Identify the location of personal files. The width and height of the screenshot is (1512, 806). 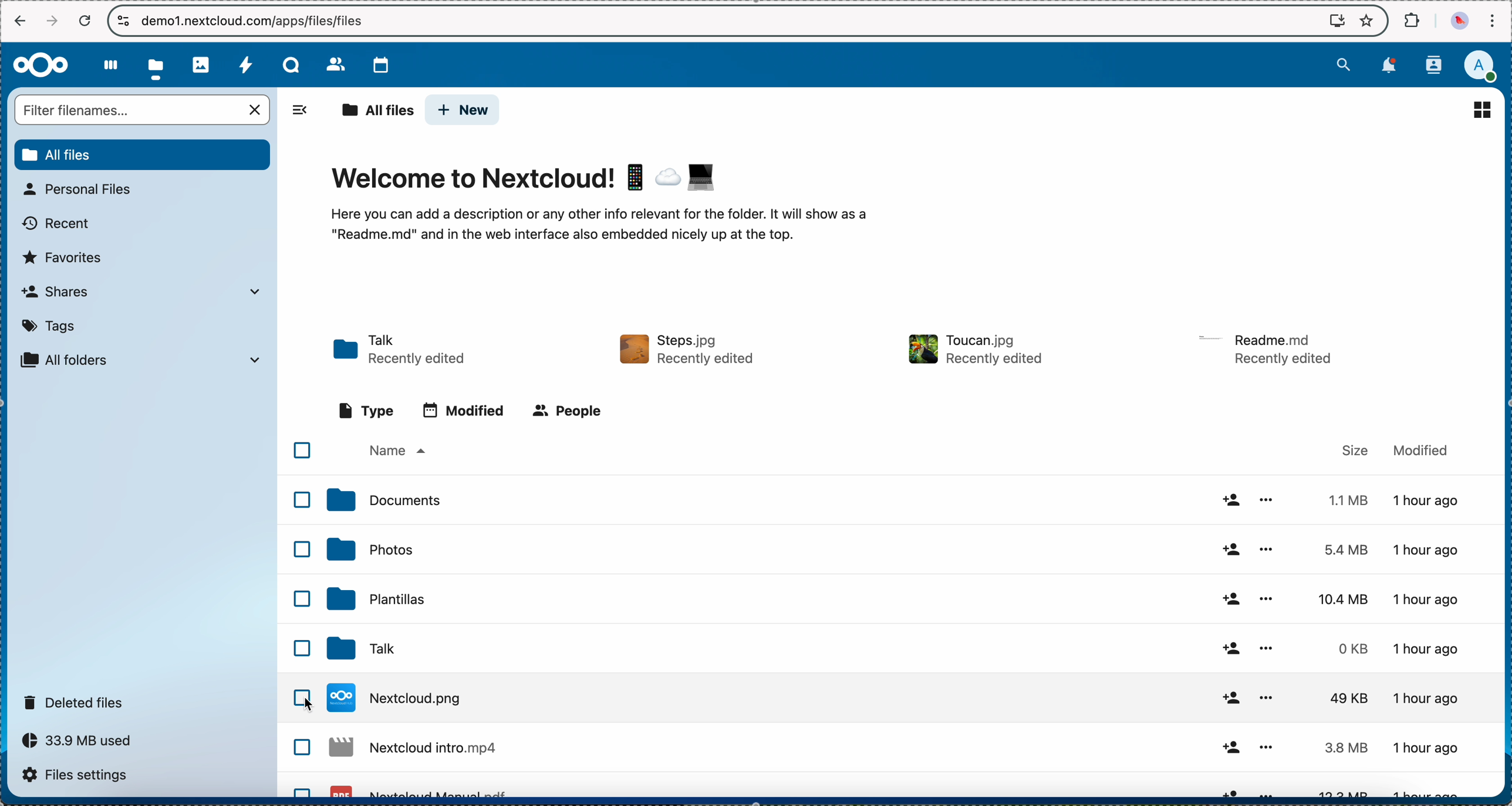
(84, 189).